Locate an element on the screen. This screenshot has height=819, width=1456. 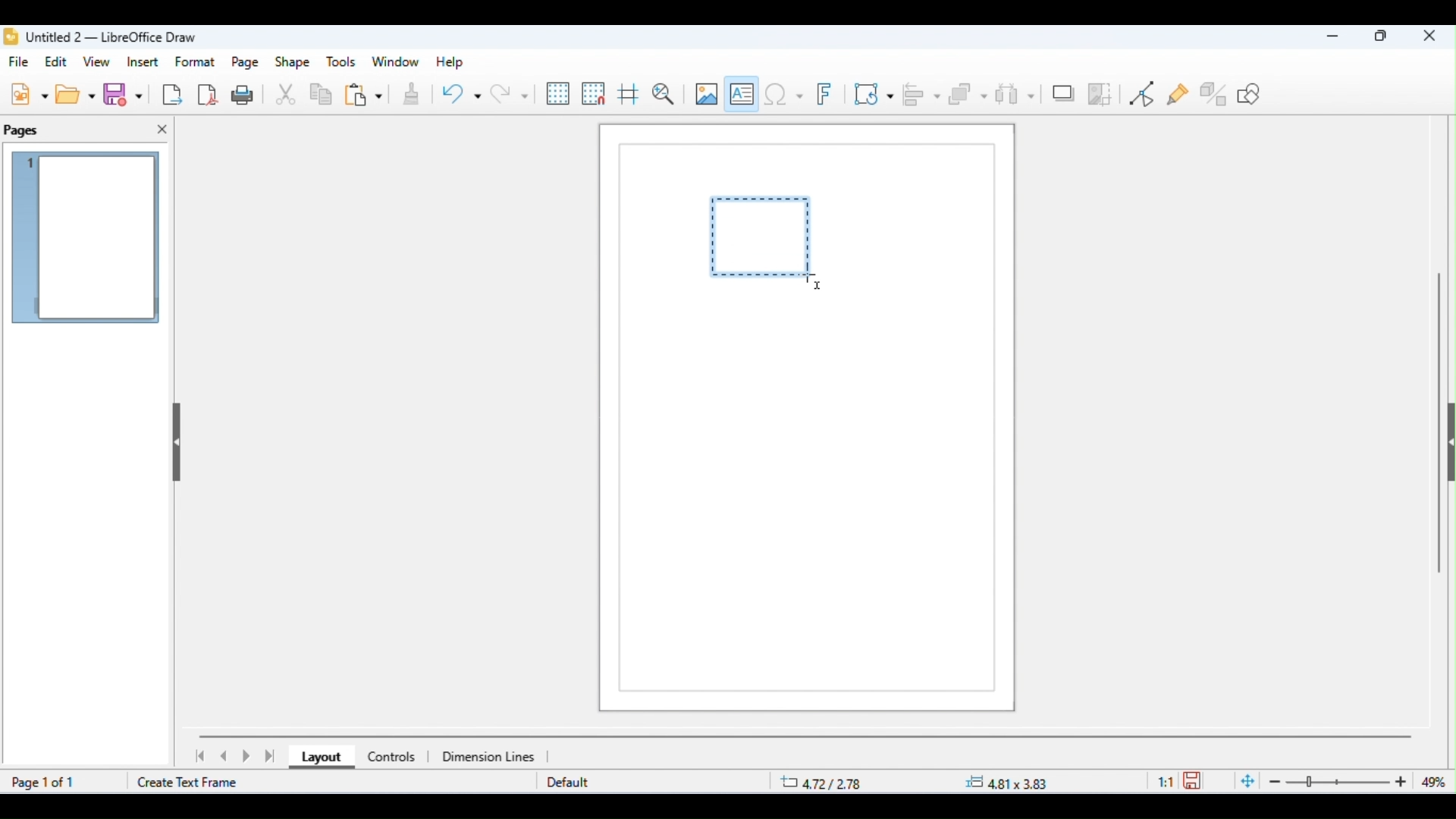
scaling factor is located at coordinates (1166, 780).